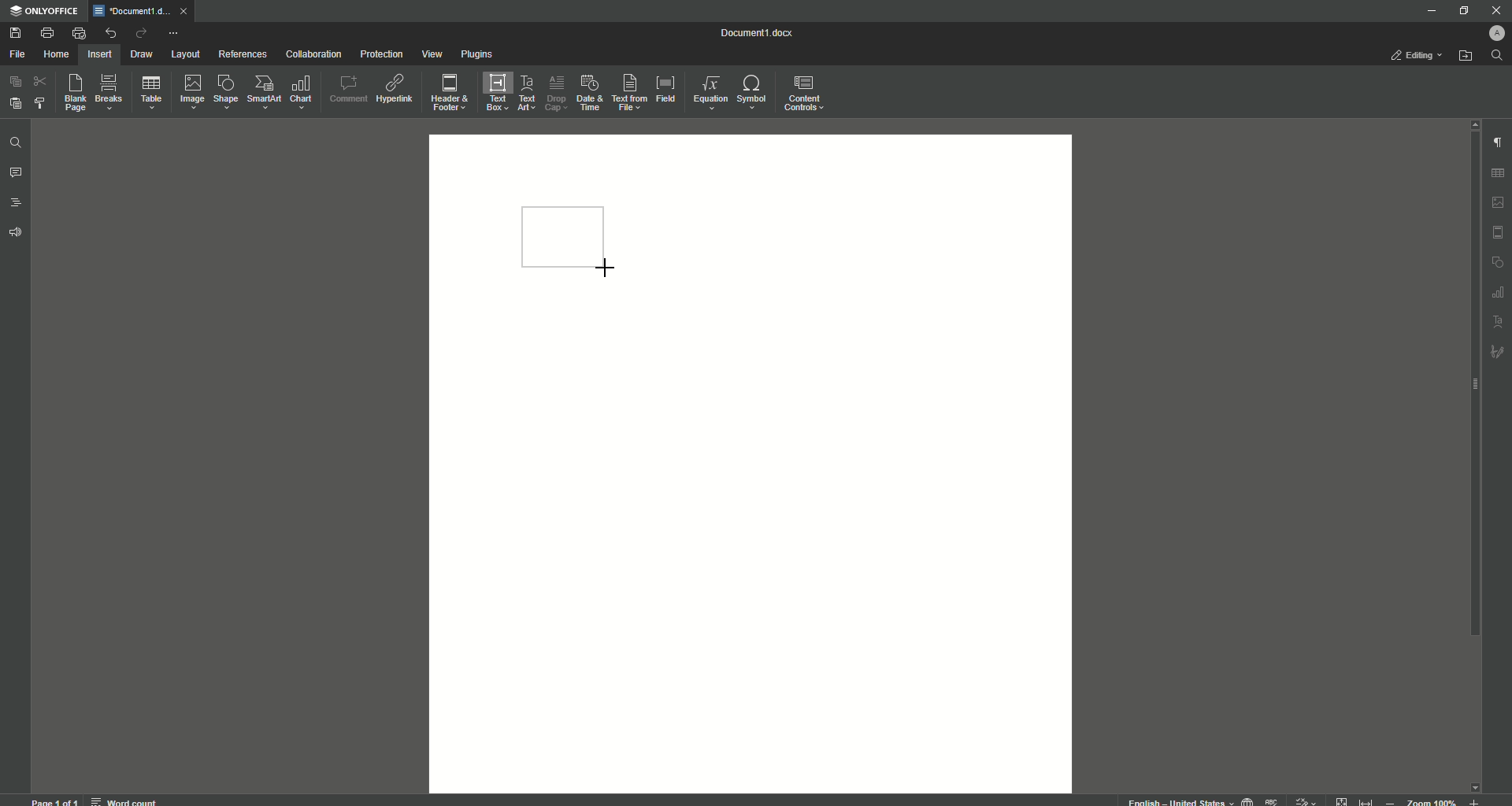 This screenshot has width=1512, height=806. What do you see at coordinates (17, 34) in the screenshot?
I see `Save` at bounding box center [17, 34].